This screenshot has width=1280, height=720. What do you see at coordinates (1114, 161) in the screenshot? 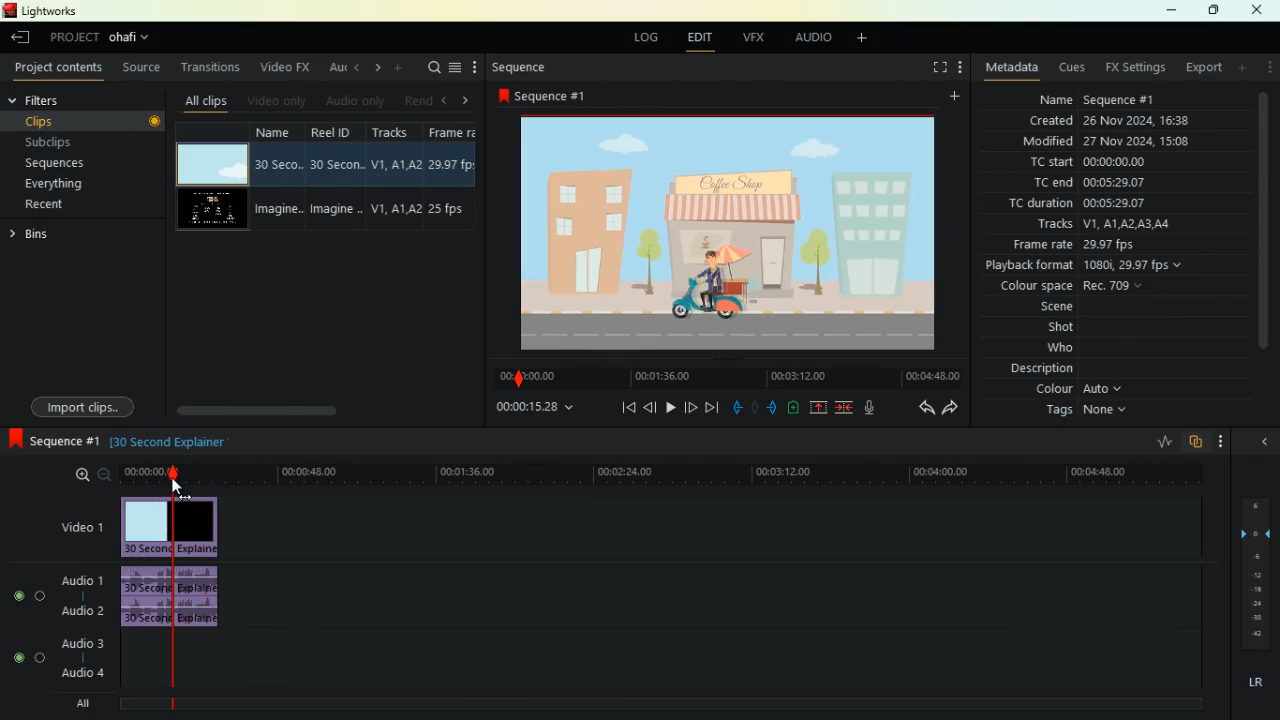
I see `00:00:00.00` at bounding box center [1114, 161].